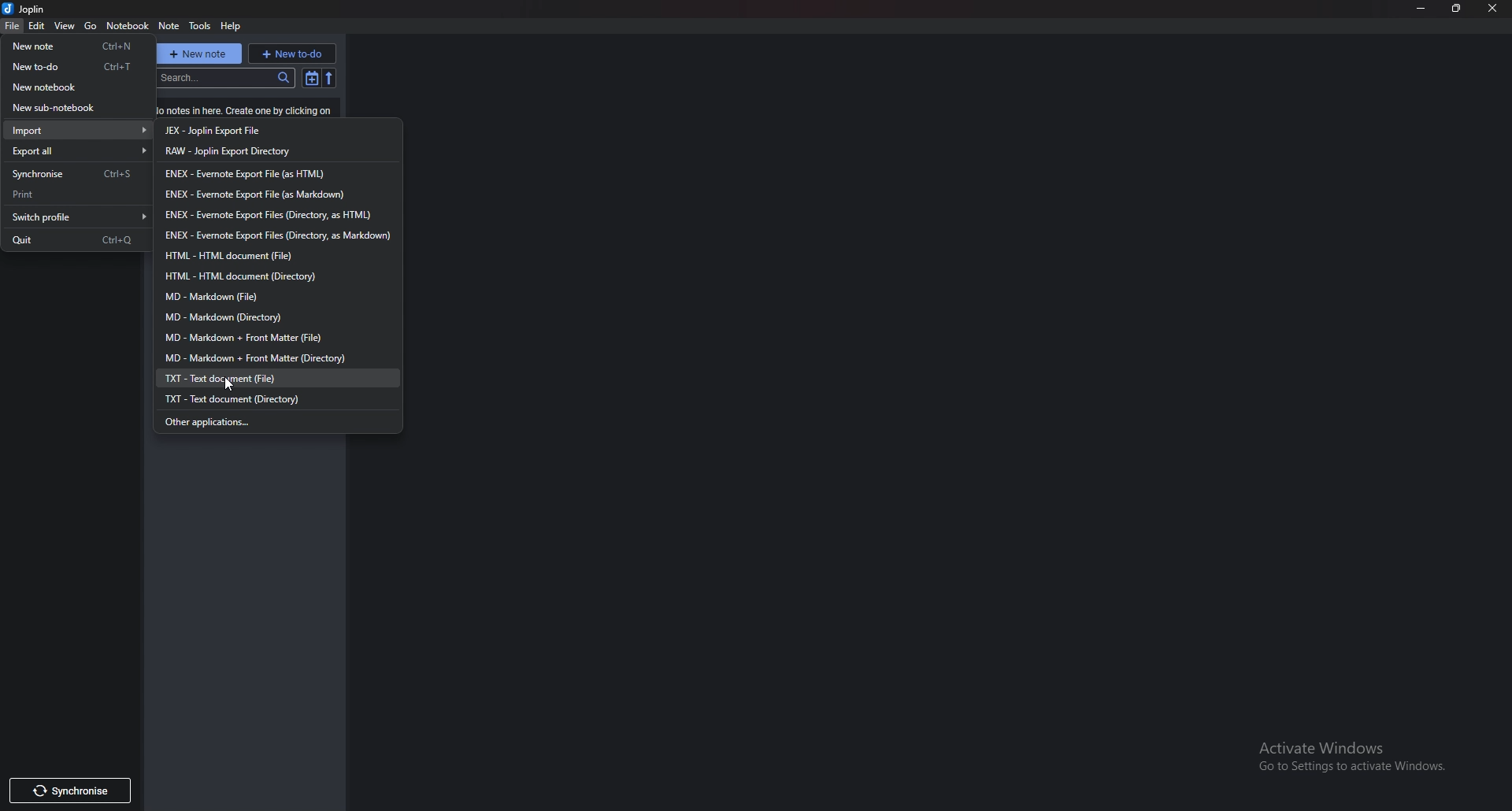 This screenshot has width=1512, height=811. What do you see at coordinates (254, 358) in the screenshot?
I see `markdown + front matter directory` at bounding box center [254, 358].